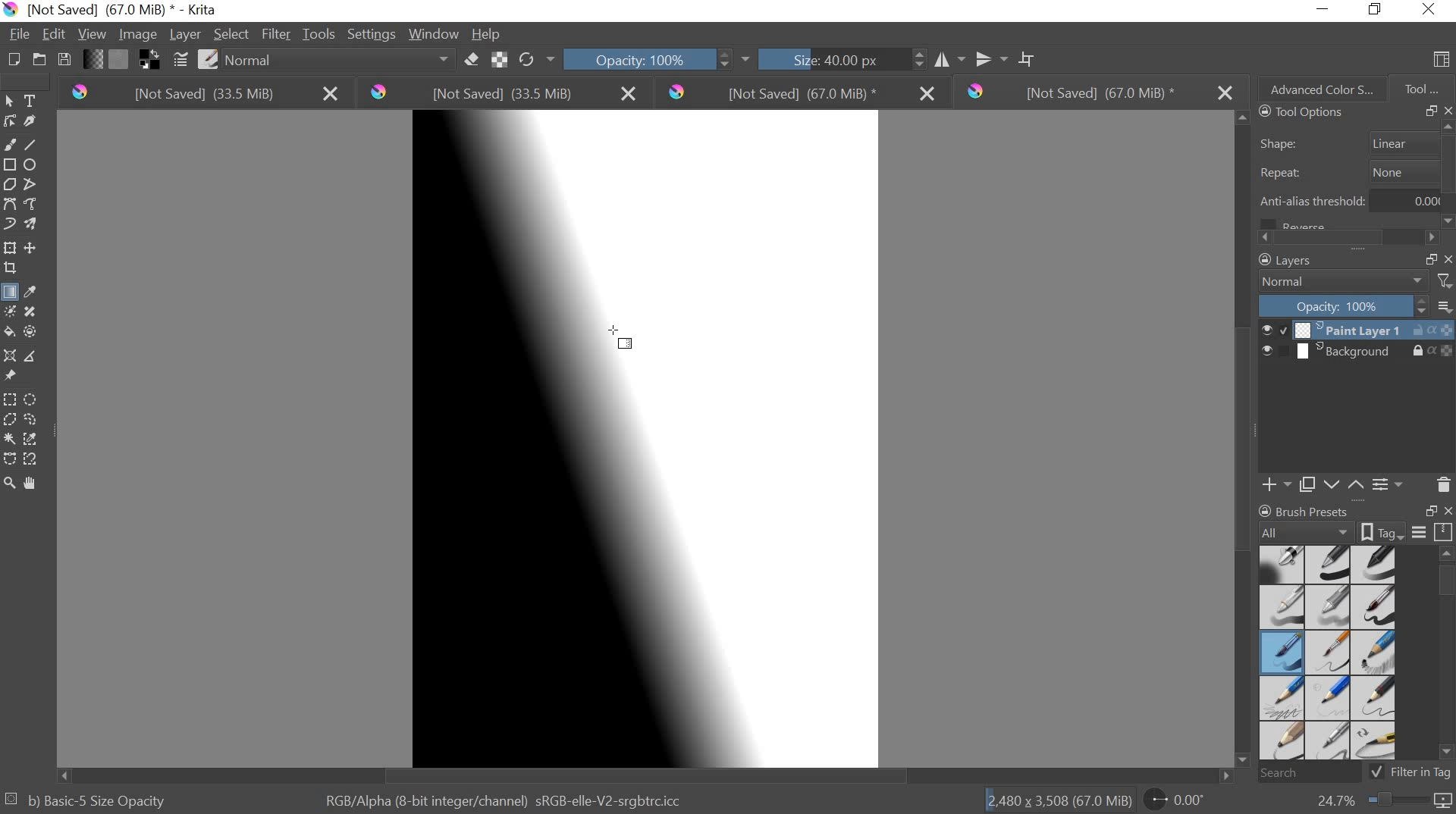  What do you see at coordinates (1379, 803) in the screenshot?
I see `ZOOM FACTOR` at bounding box center [1379, 803].